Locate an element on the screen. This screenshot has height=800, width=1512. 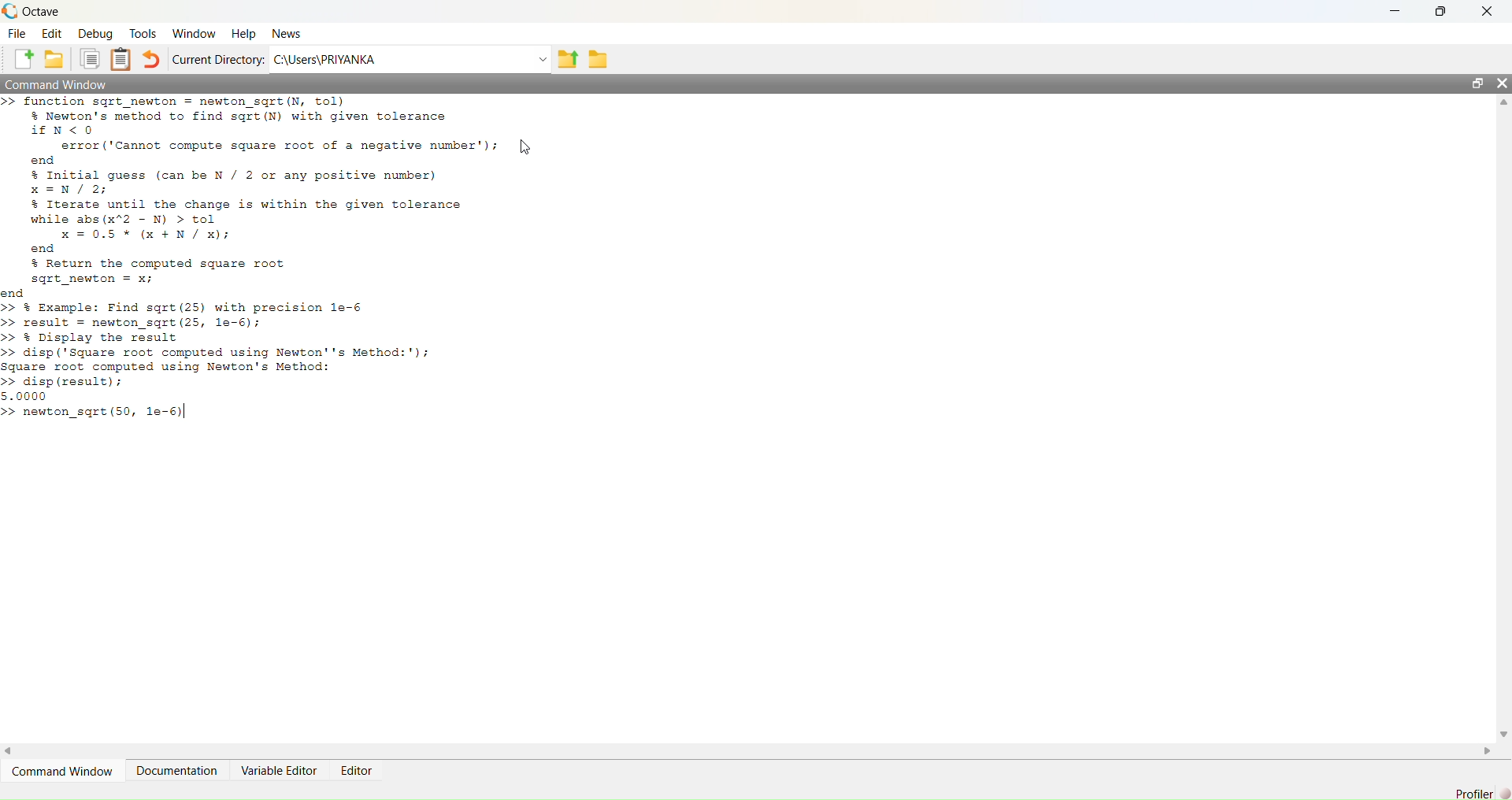
Close is located at coordinates (1485, 11).